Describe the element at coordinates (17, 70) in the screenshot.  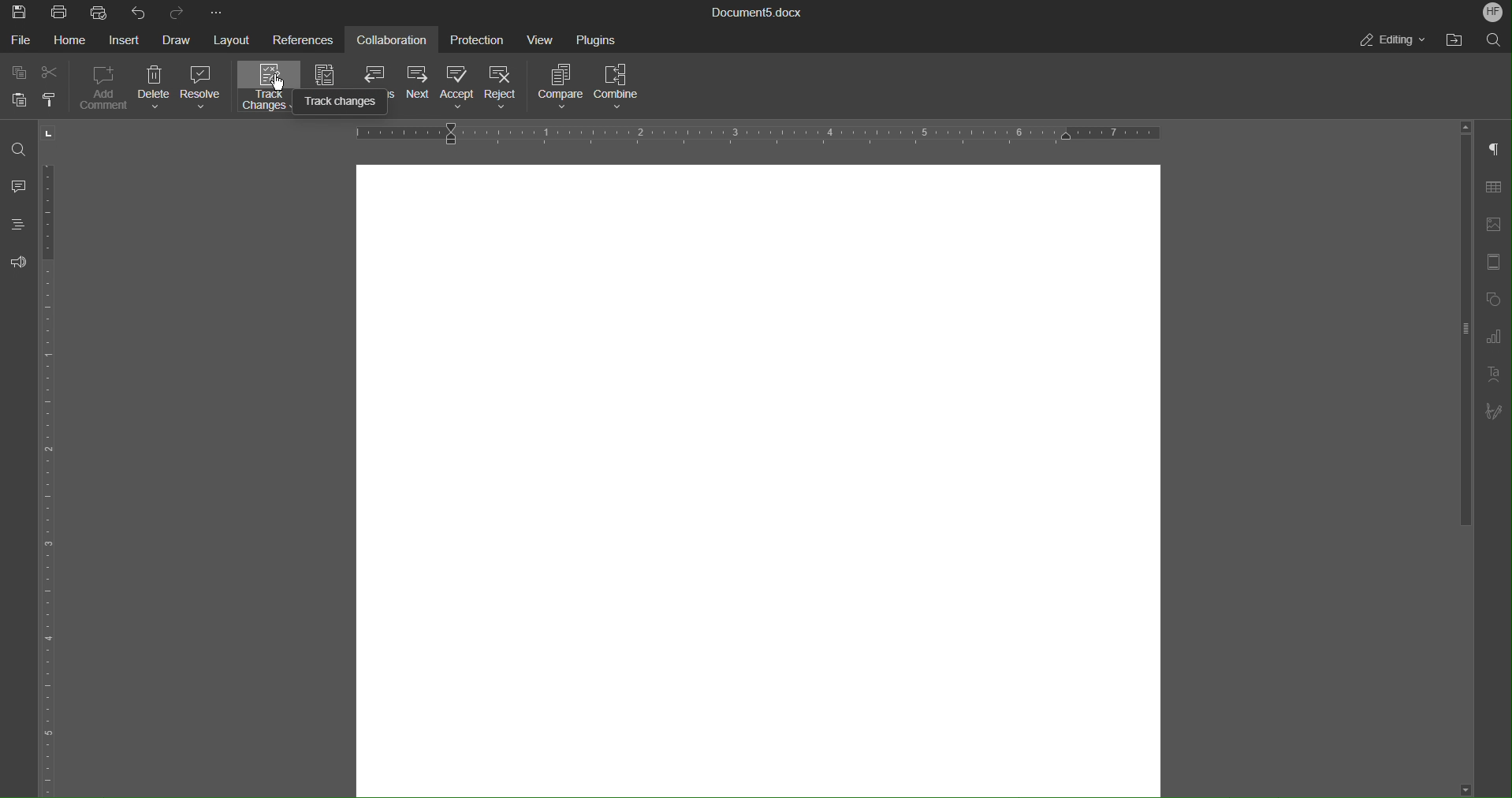
I see `Copy` at that location.